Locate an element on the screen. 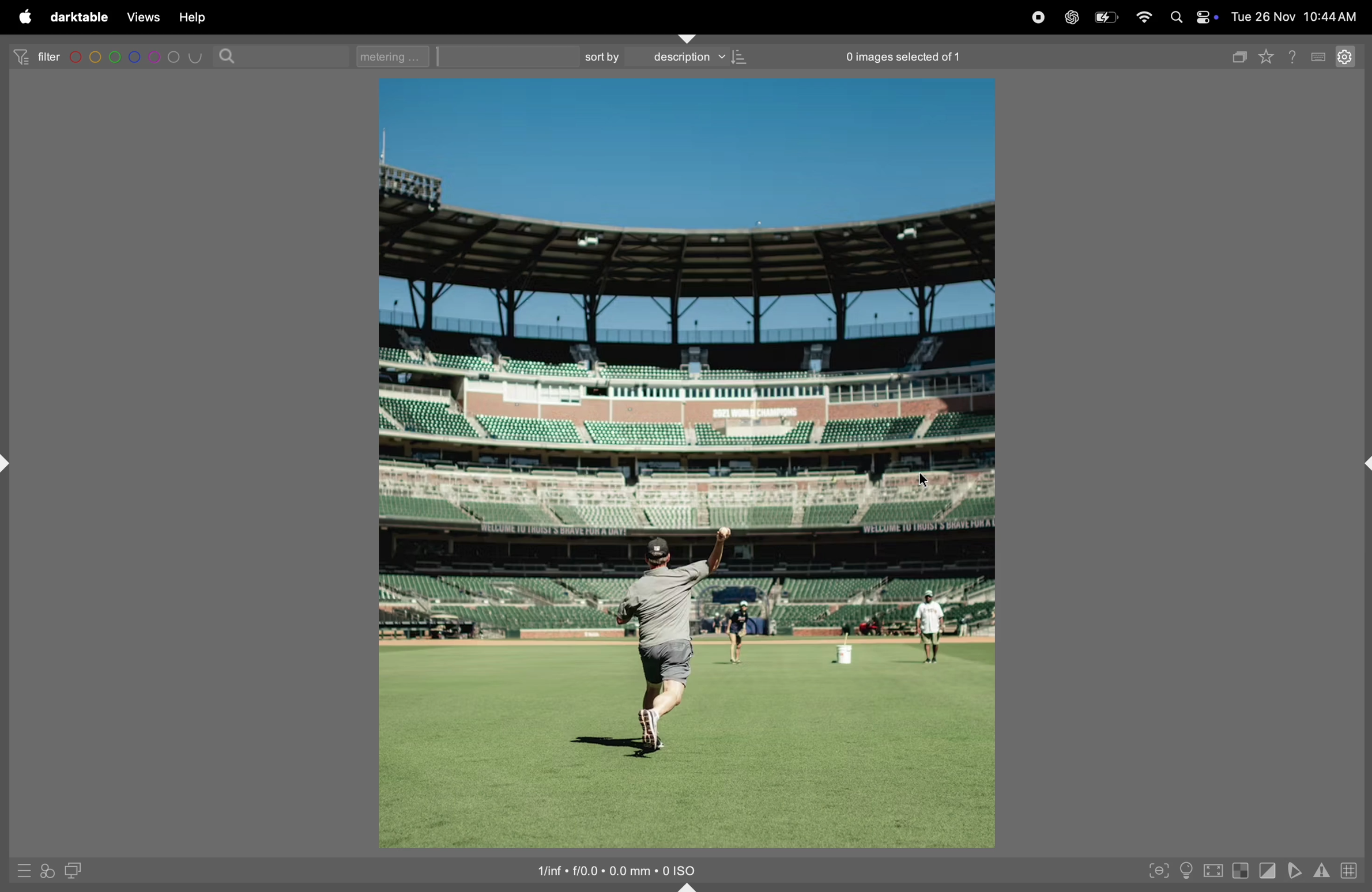 This screenshot has height=892, width=1372. date and time is located at coordinates (1295, 16).